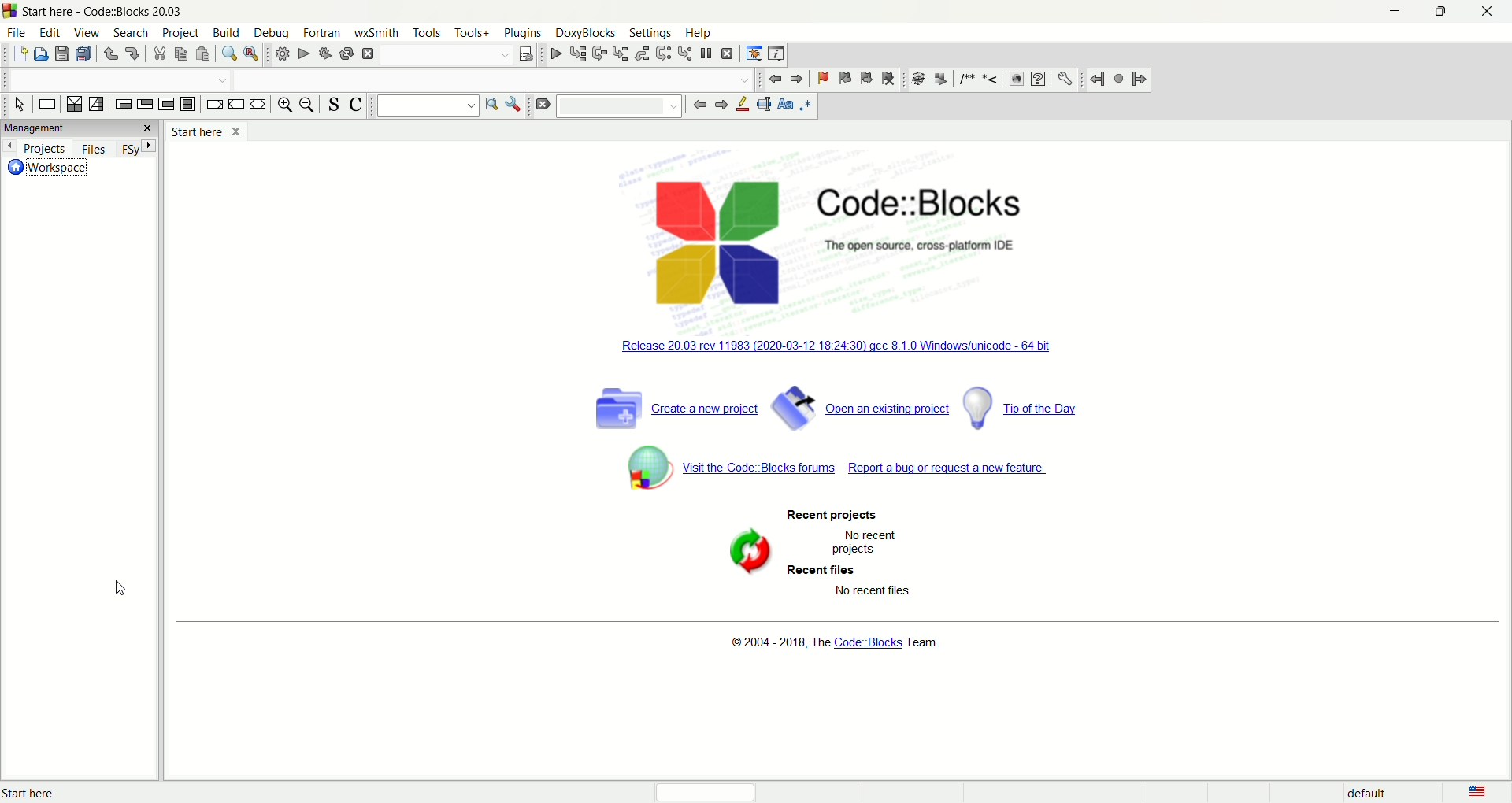  Describe the element at coordinates (10, 12) in the screenshot. I see `logo` at that location.